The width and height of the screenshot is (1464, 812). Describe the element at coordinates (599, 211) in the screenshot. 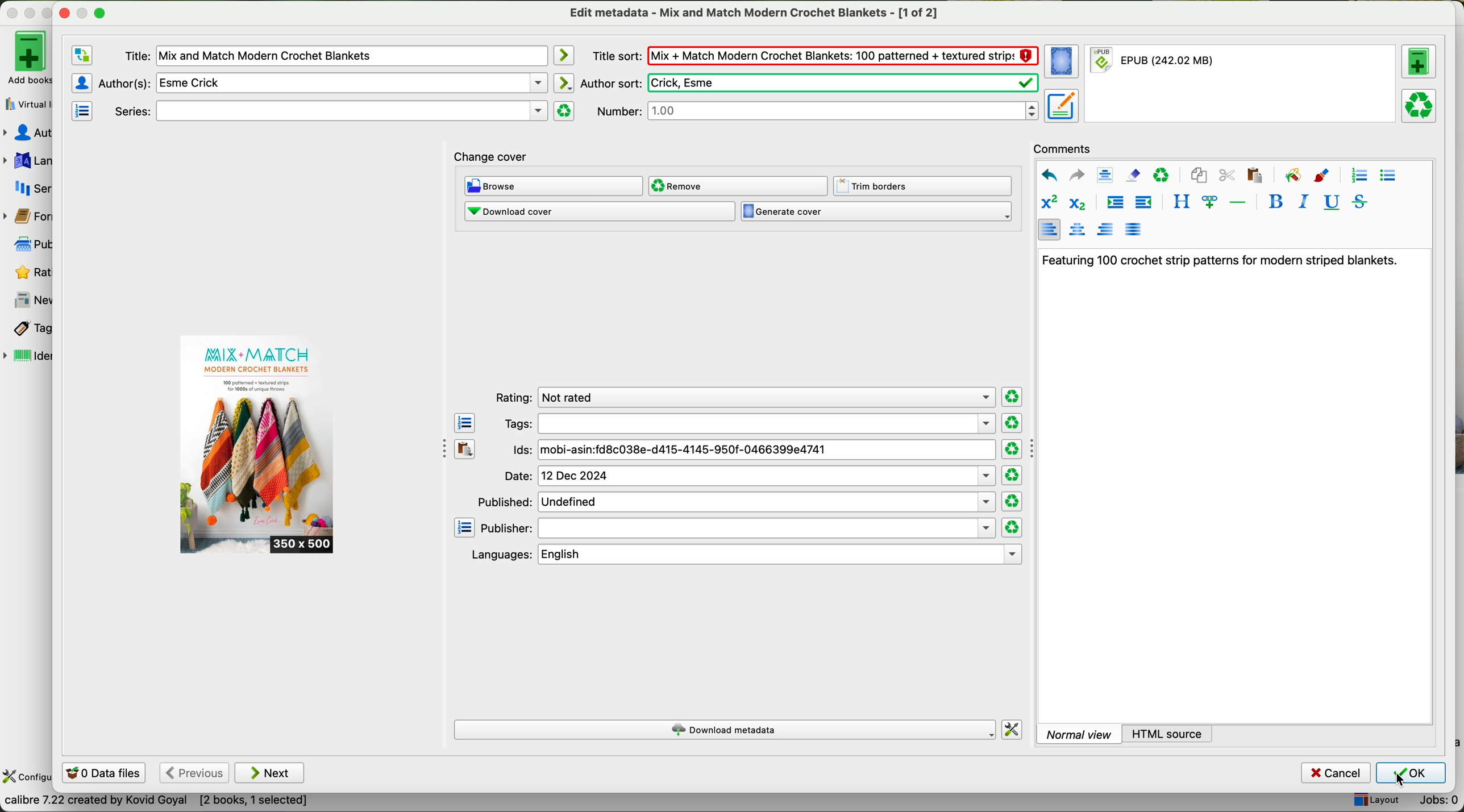

I see `download cover` at that location.